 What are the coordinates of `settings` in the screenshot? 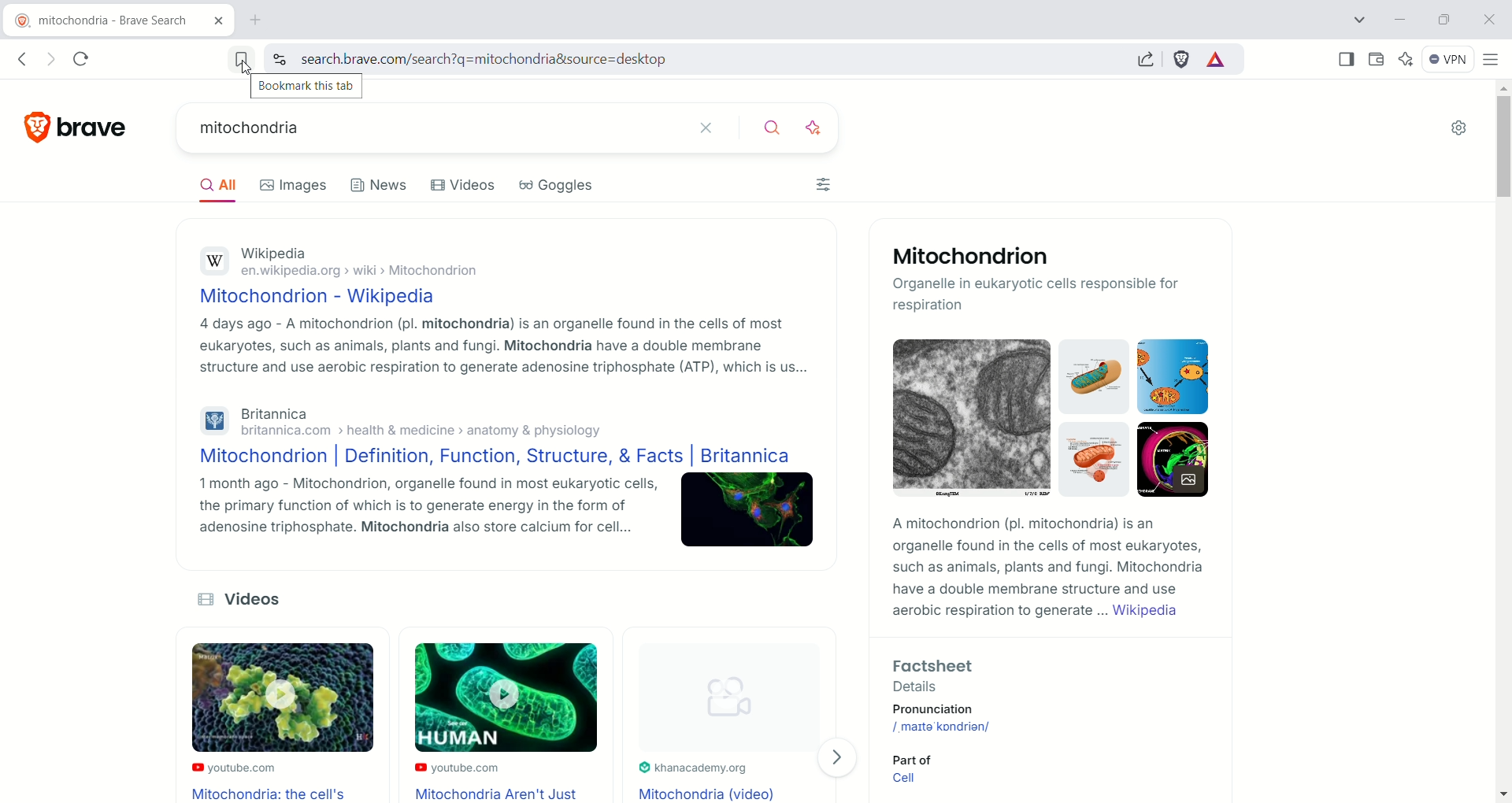 It's located at (1461, 129).